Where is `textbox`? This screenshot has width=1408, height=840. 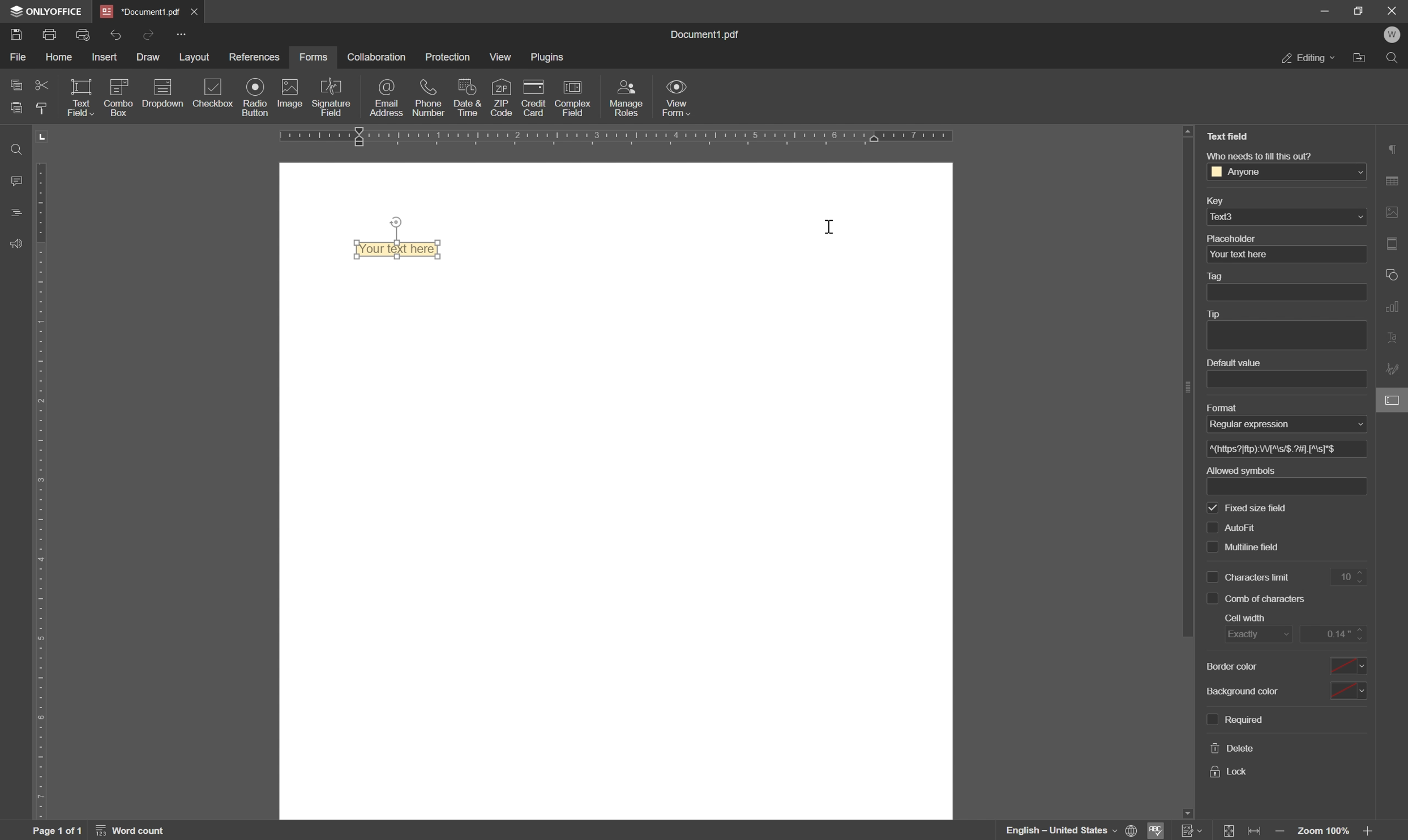 textbox is located at coordinates (1294, 486).